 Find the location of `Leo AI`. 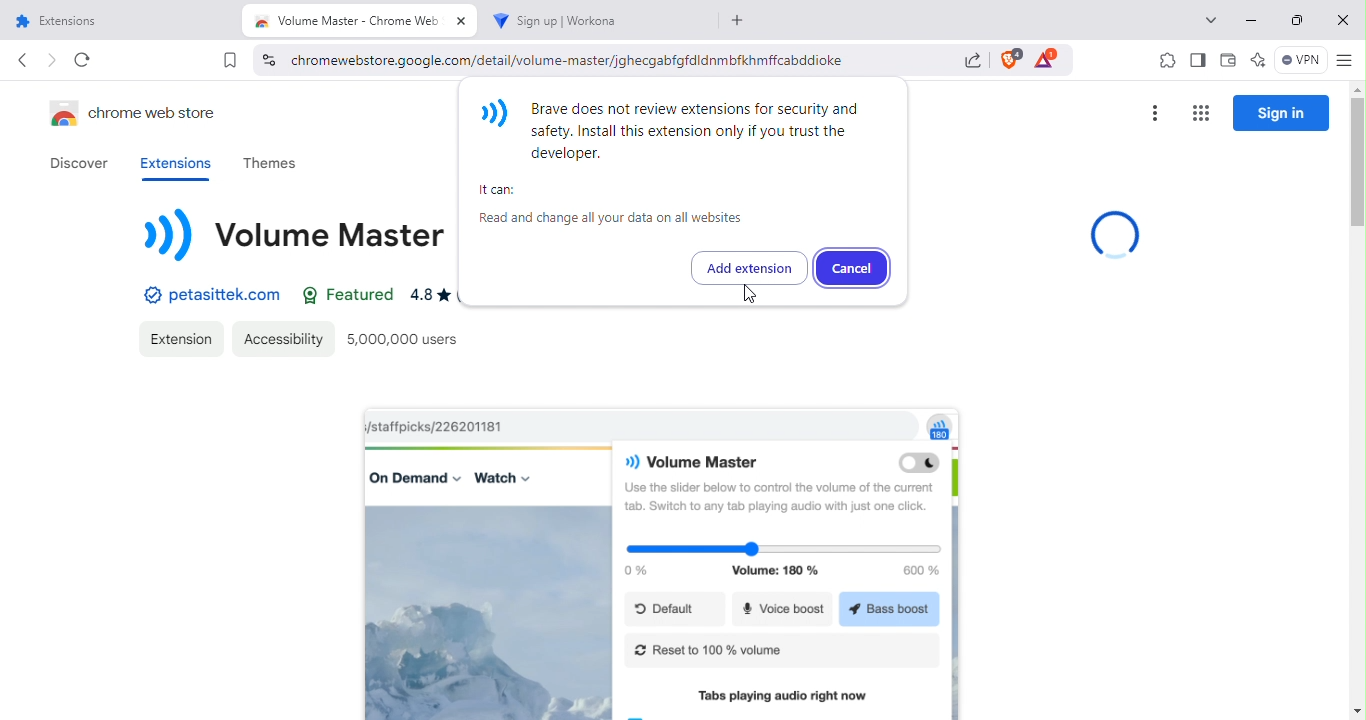

Leo AI is located at coordinates (1256, 59).